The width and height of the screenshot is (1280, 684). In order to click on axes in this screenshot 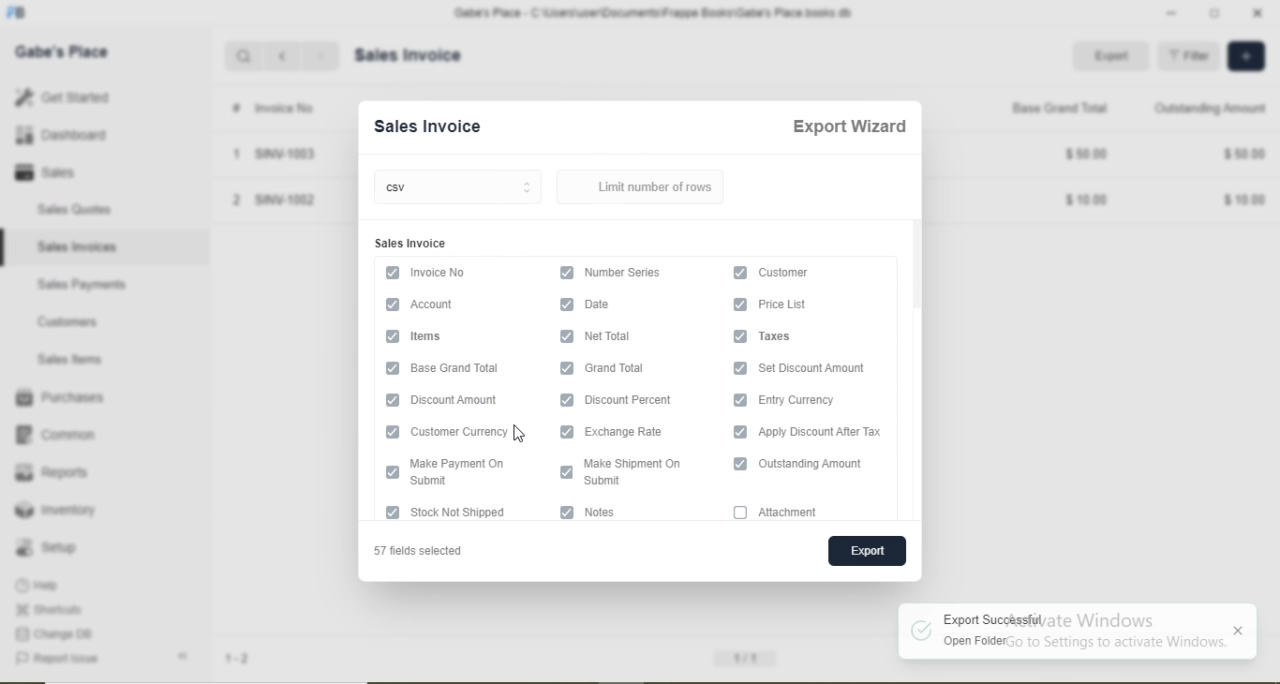, I will do `click(790, 337)`.